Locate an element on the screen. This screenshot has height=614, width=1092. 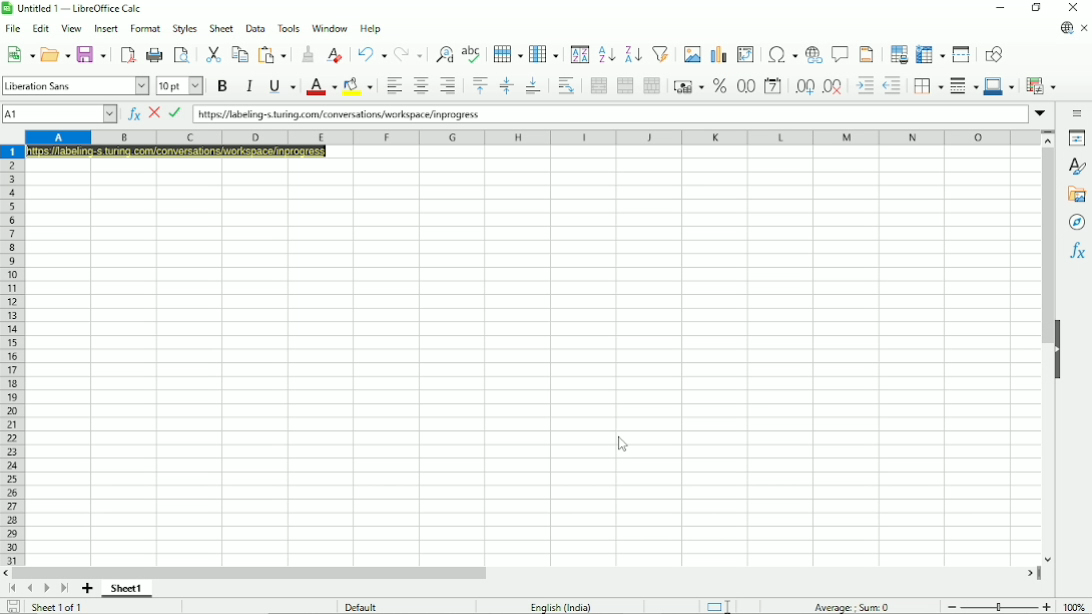
Format as percent is located at coordinates (719, 86).